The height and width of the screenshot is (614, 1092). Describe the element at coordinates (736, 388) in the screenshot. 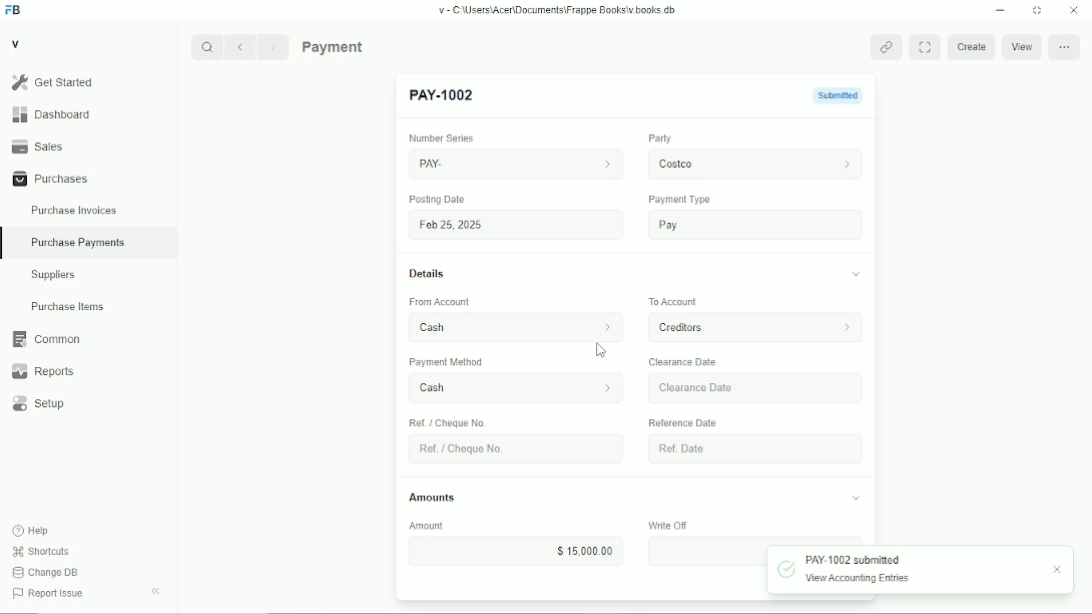

I see `Clearance Date` at that location.